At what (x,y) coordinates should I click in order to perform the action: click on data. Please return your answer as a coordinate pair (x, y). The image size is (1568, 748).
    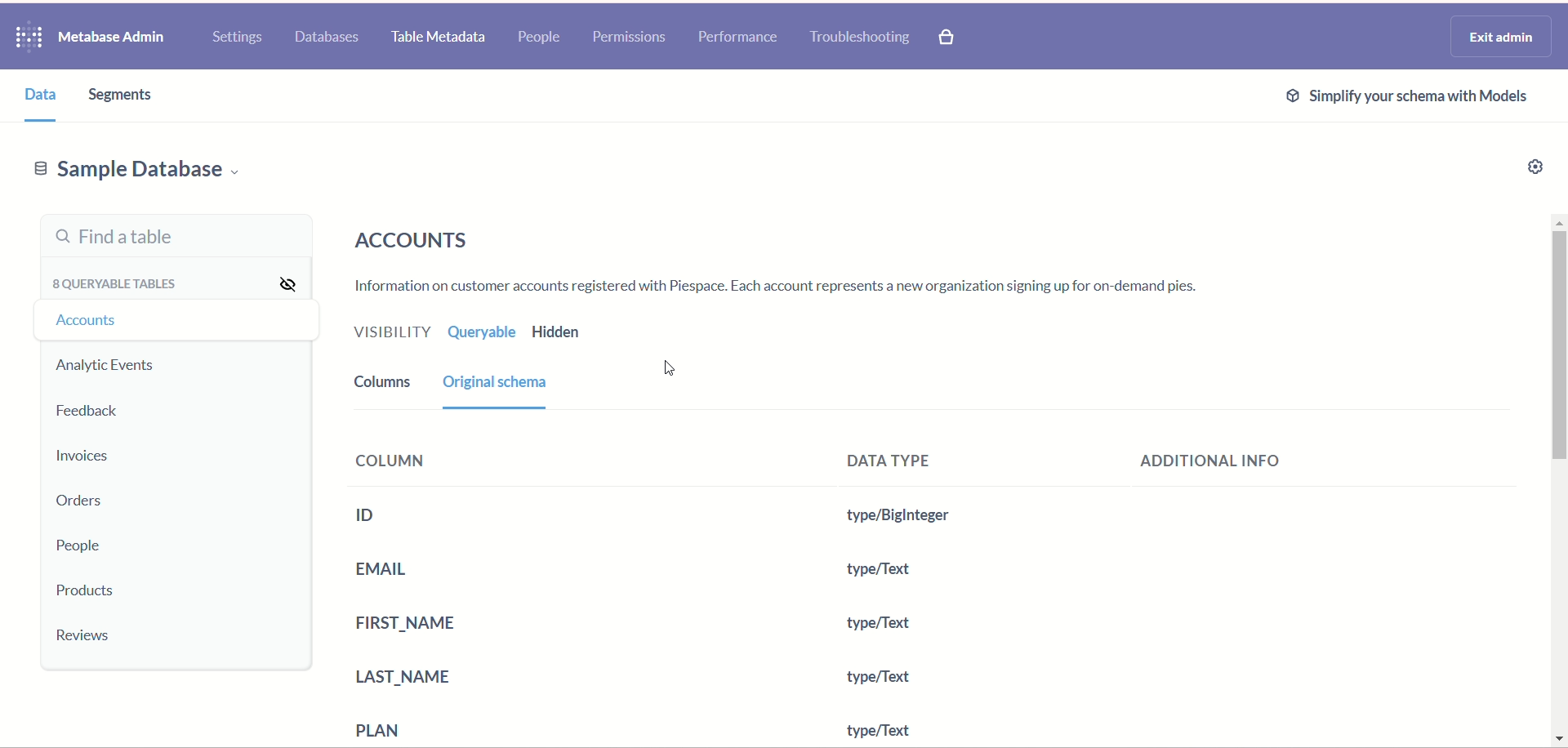
    Looking at the image, I should click on (46, 97).